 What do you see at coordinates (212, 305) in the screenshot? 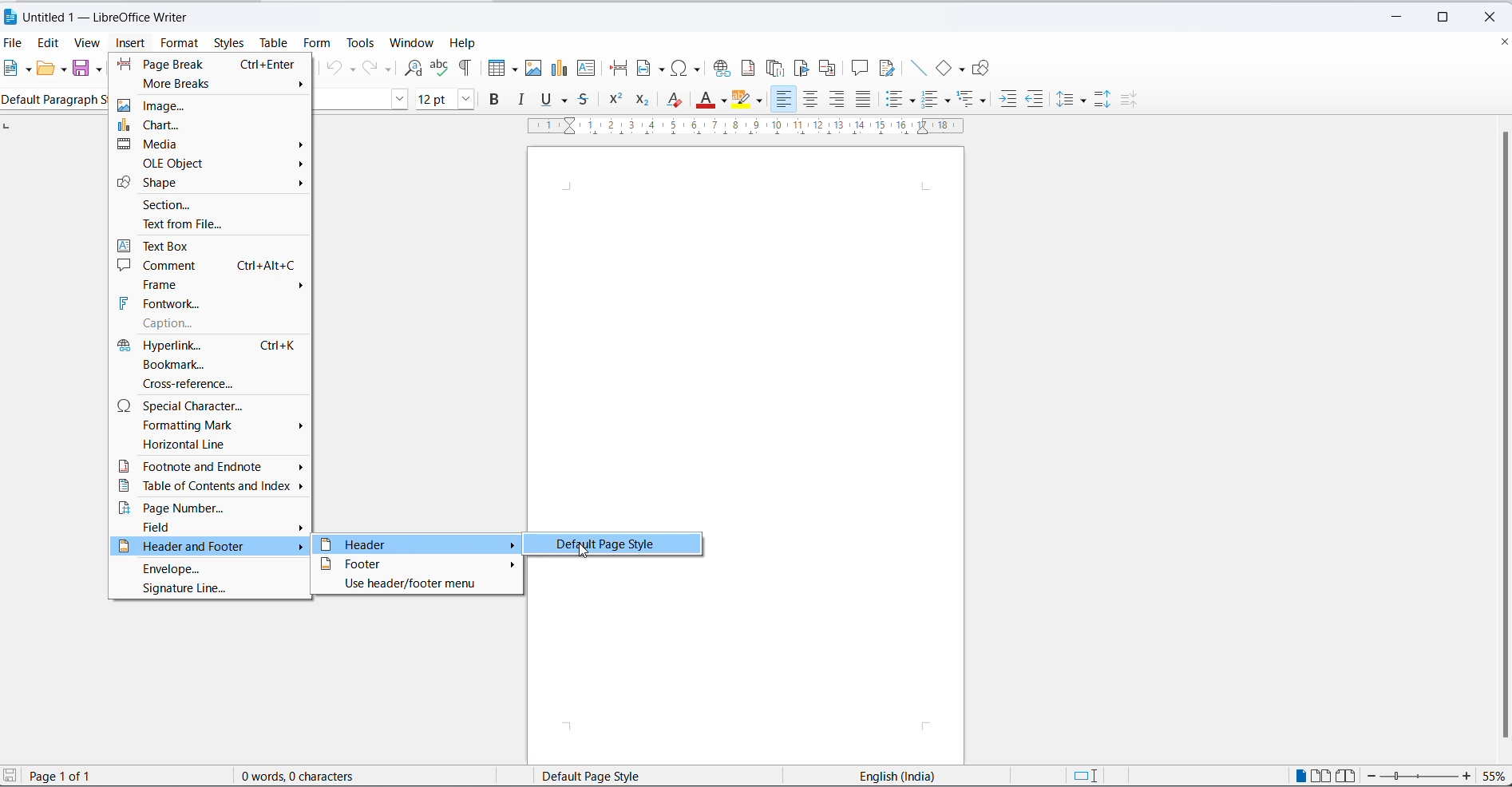
I see `fontwork` at bounding box center [212, 305].